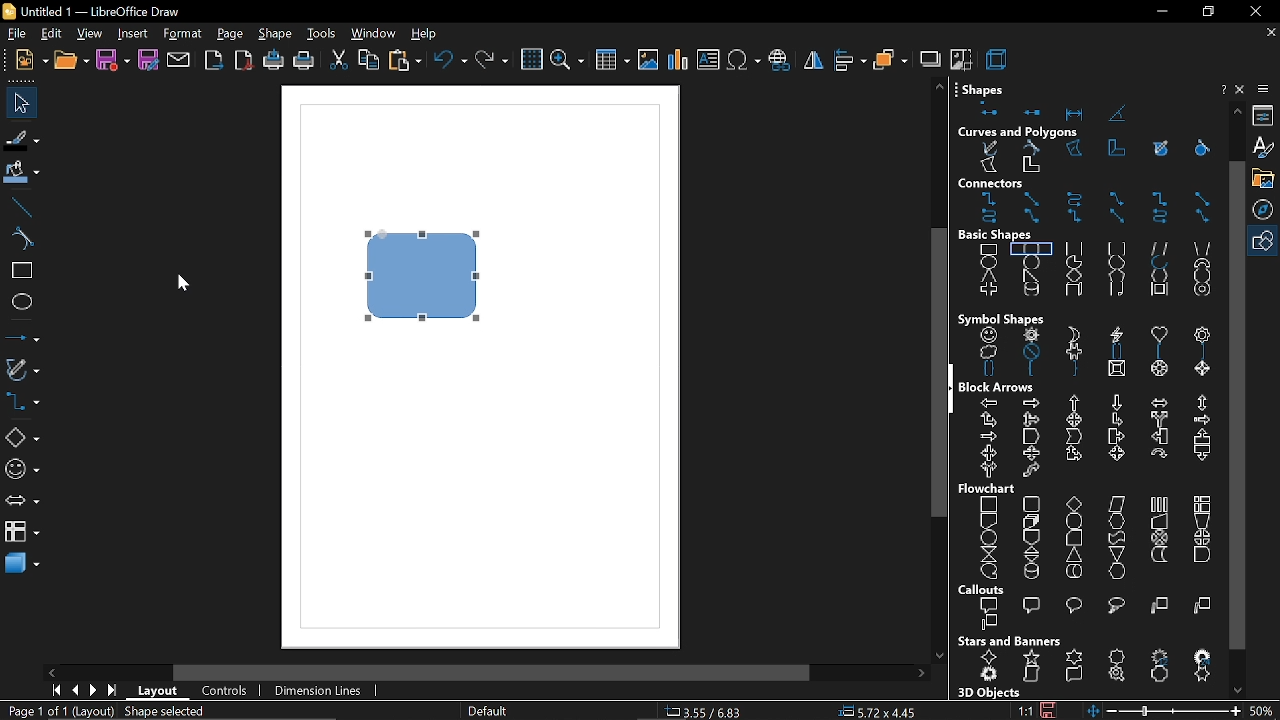 The image size is (1280, 720). Describe the element at coordinates (23, 173) in the screenshot. I see `fill color` at that location.